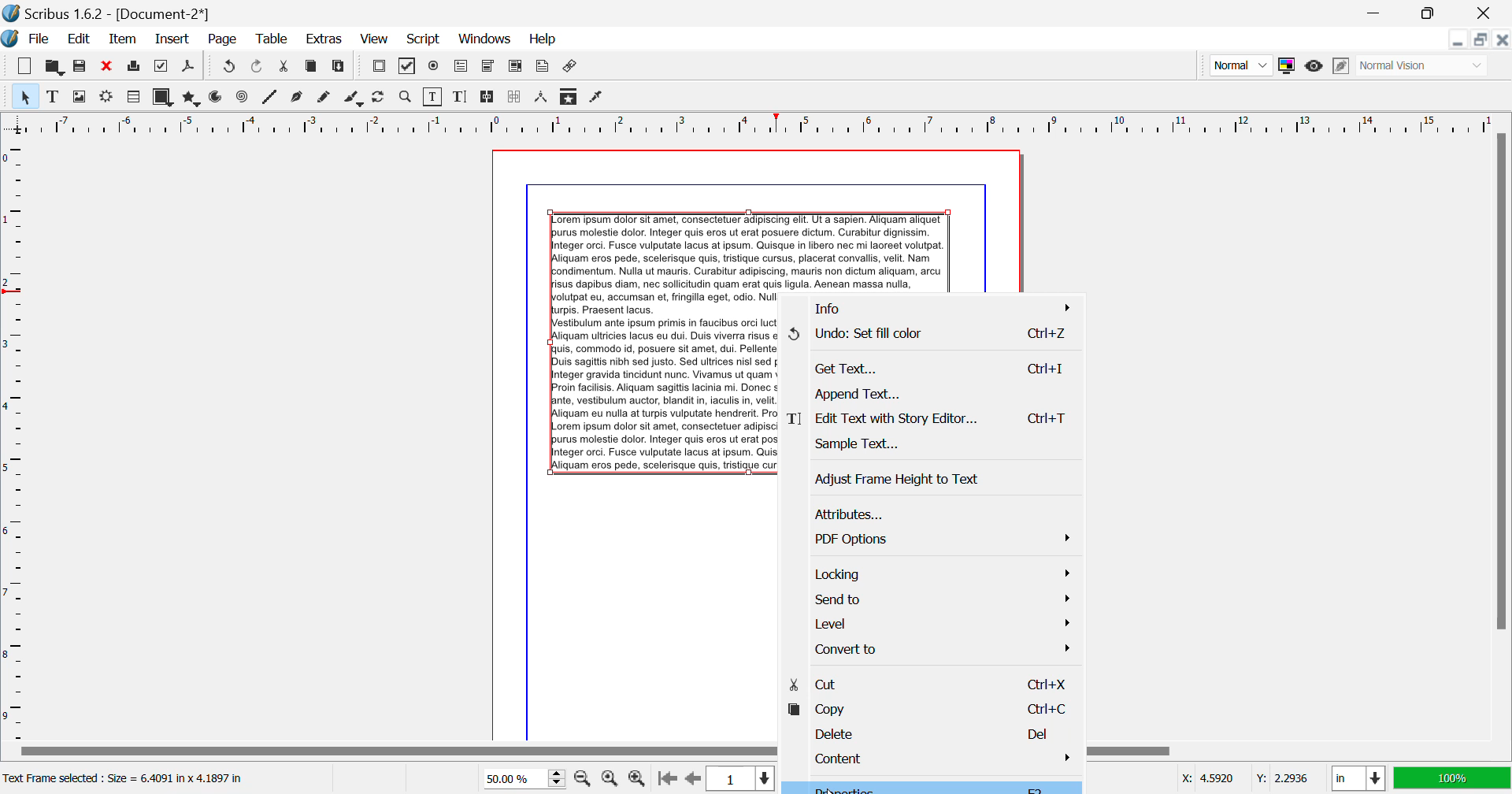  Describe the element at coordinates (15, 439) in the screenshot. I see `Horizontal Page Margins` at that location.